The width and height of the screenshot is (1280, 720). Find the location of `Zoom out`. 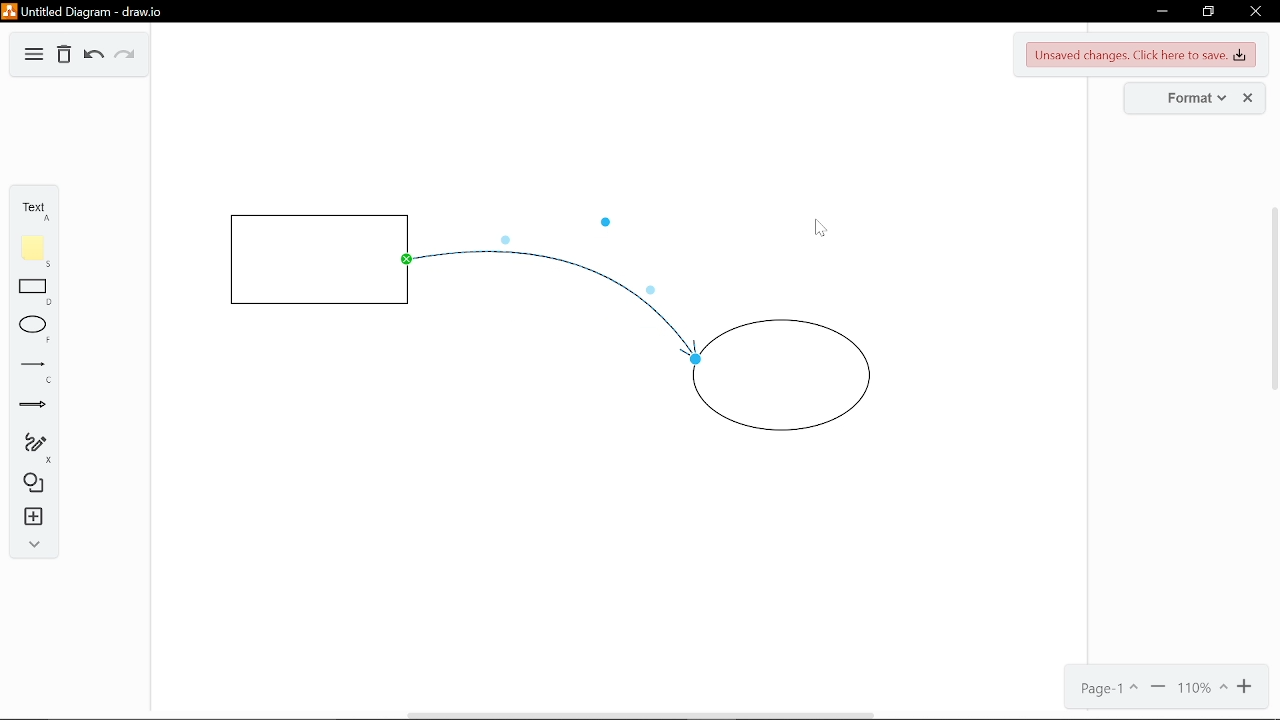

Zoom out is located at coordinates (1158, 689).